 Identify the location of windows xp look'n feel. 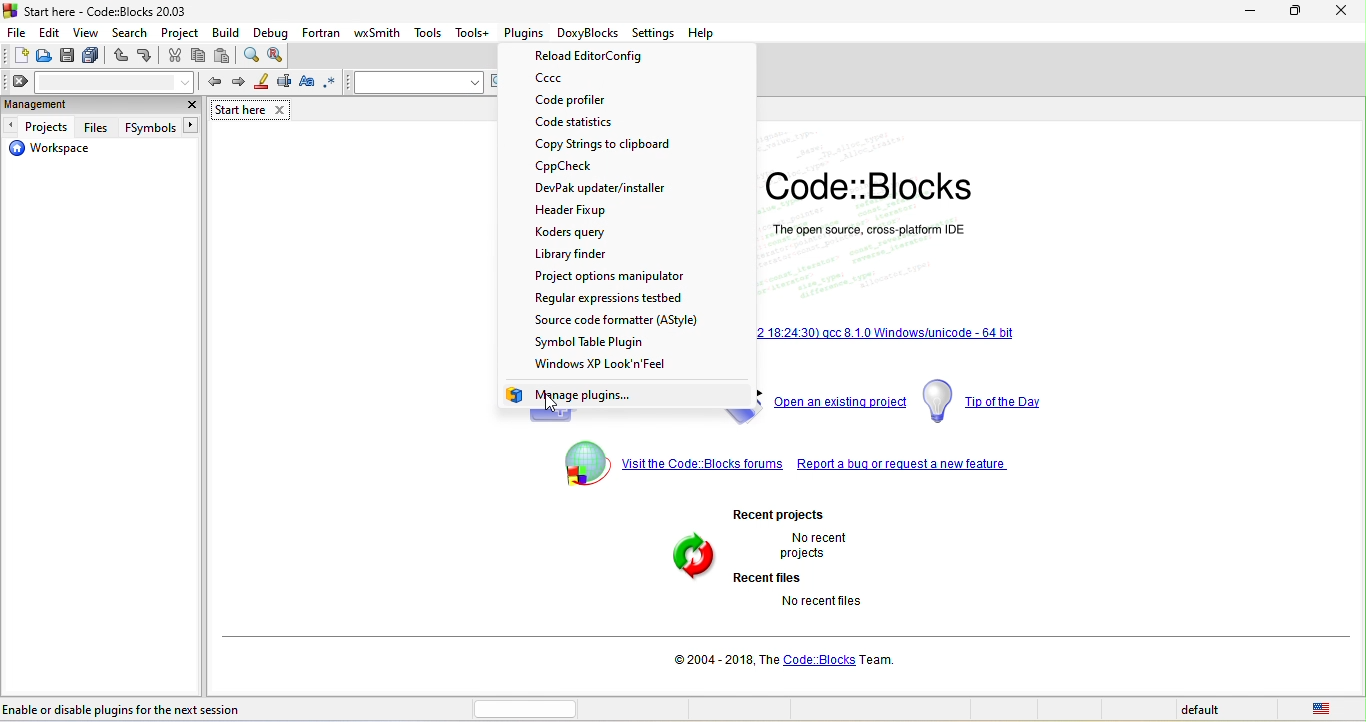
(618, 366).